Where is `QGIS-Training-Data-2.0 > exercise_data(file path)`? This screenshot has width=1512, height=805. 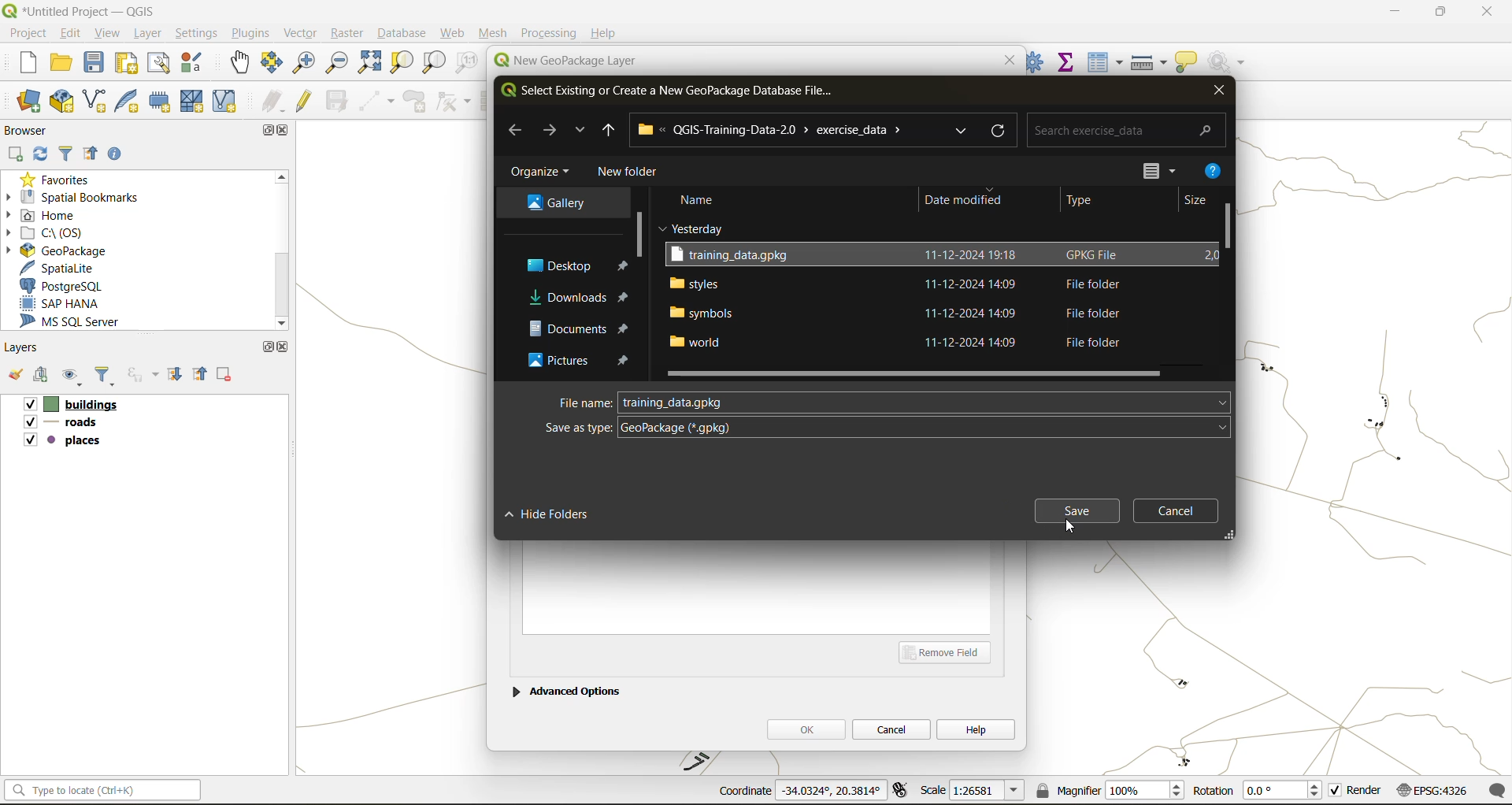
QGIS-Training-Data-2.0 > exercise_data(file path) is located at coordinates (782, 129).